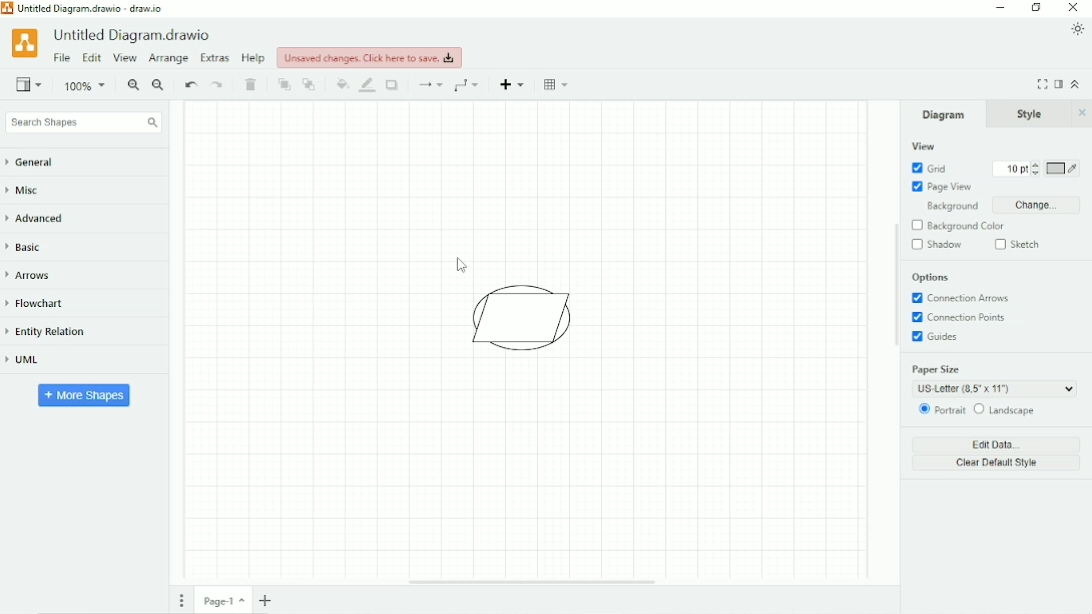 This screenshot has width=1092, height=614. I want to click on Delete, so click(253, 85).